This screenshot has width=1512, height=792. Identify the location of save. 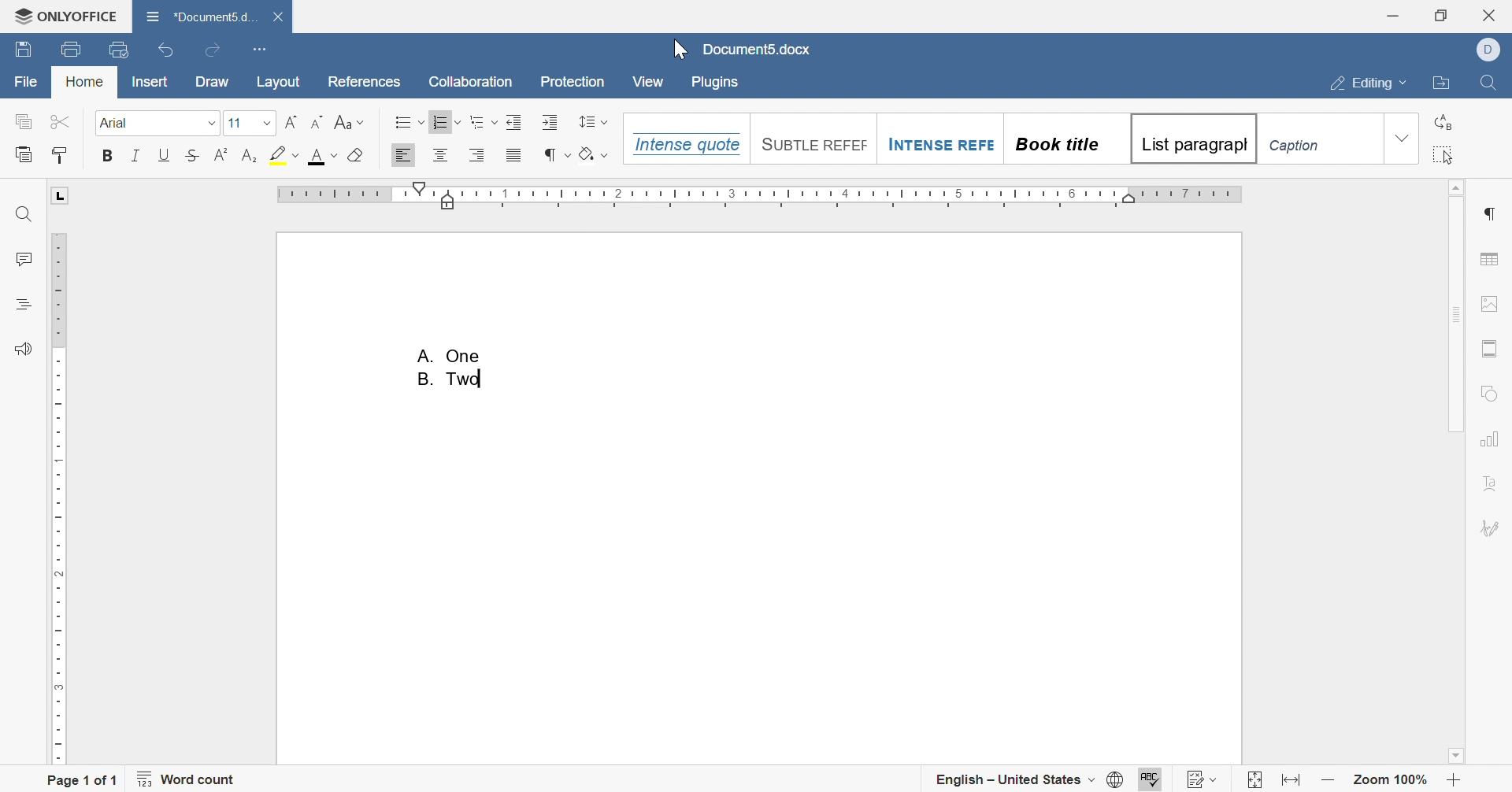
(23, 51).